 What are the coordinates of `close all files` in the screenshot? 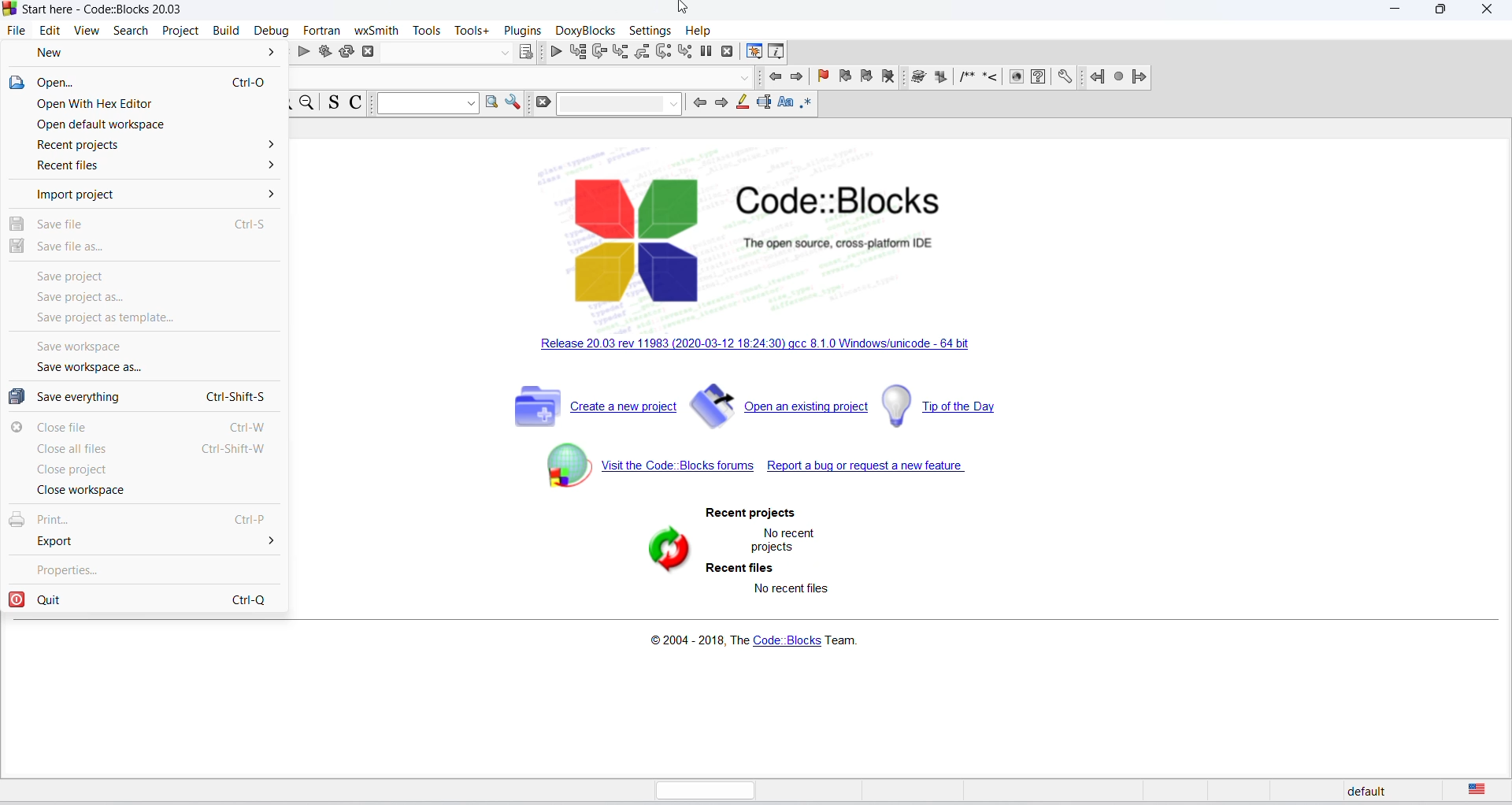 It's located at (150, 449).